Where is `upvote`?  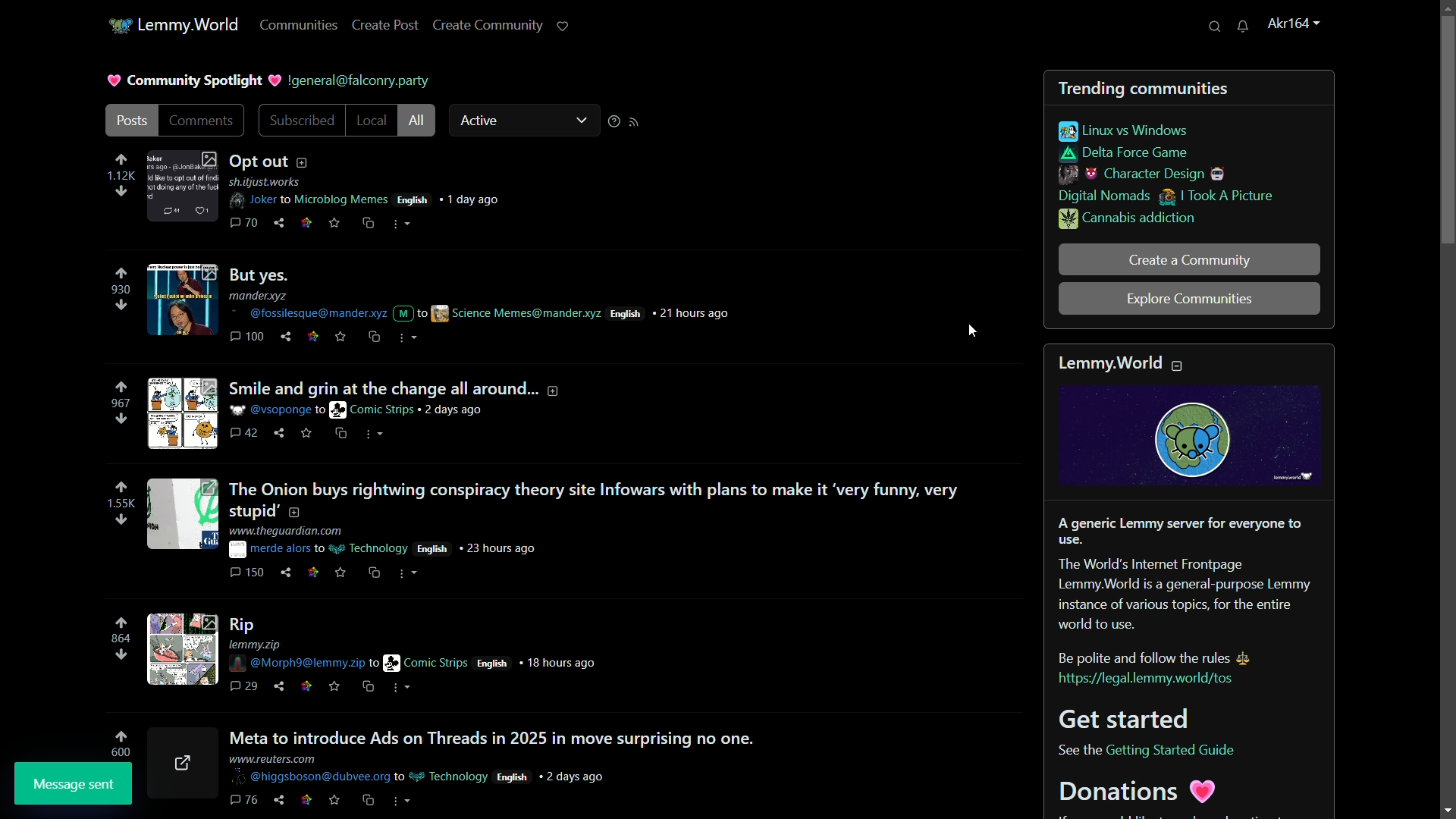 upvote is located at coordinates (122, 735).